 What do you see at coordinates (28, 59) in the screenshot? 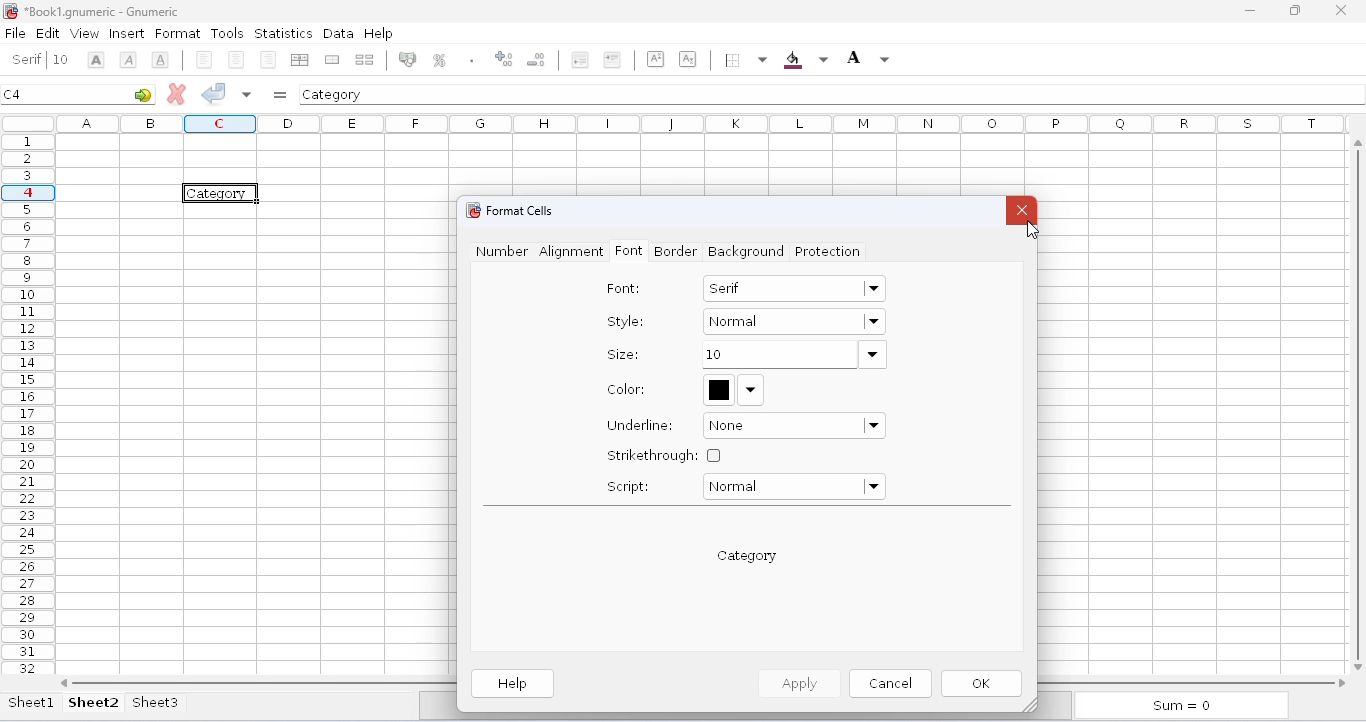
I see `serif` at bounding box center [28, 59].